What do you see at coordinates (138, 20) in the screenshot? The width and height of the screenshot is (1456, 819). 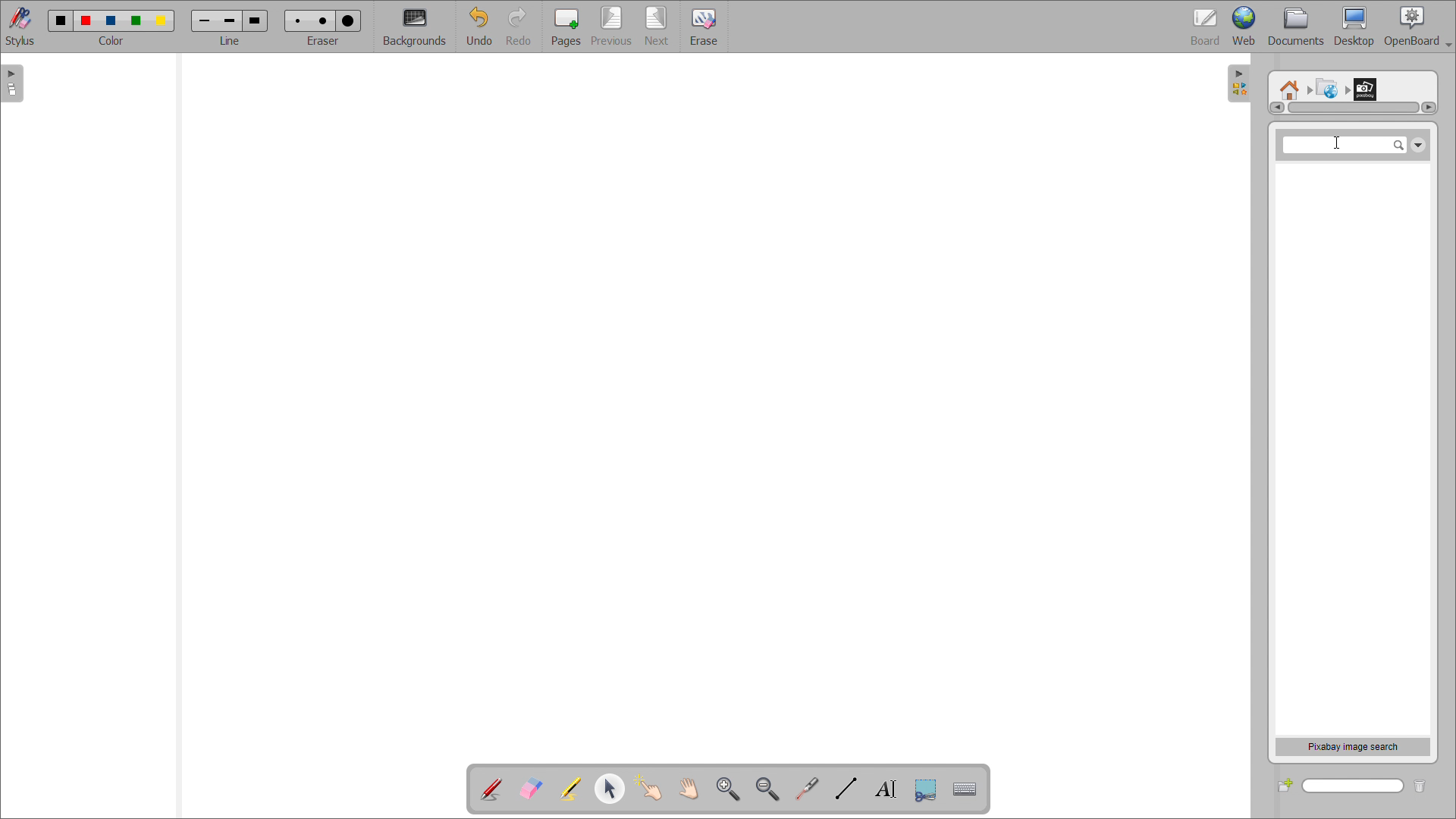 I see `Color 4` at bounding box center [138, 20].